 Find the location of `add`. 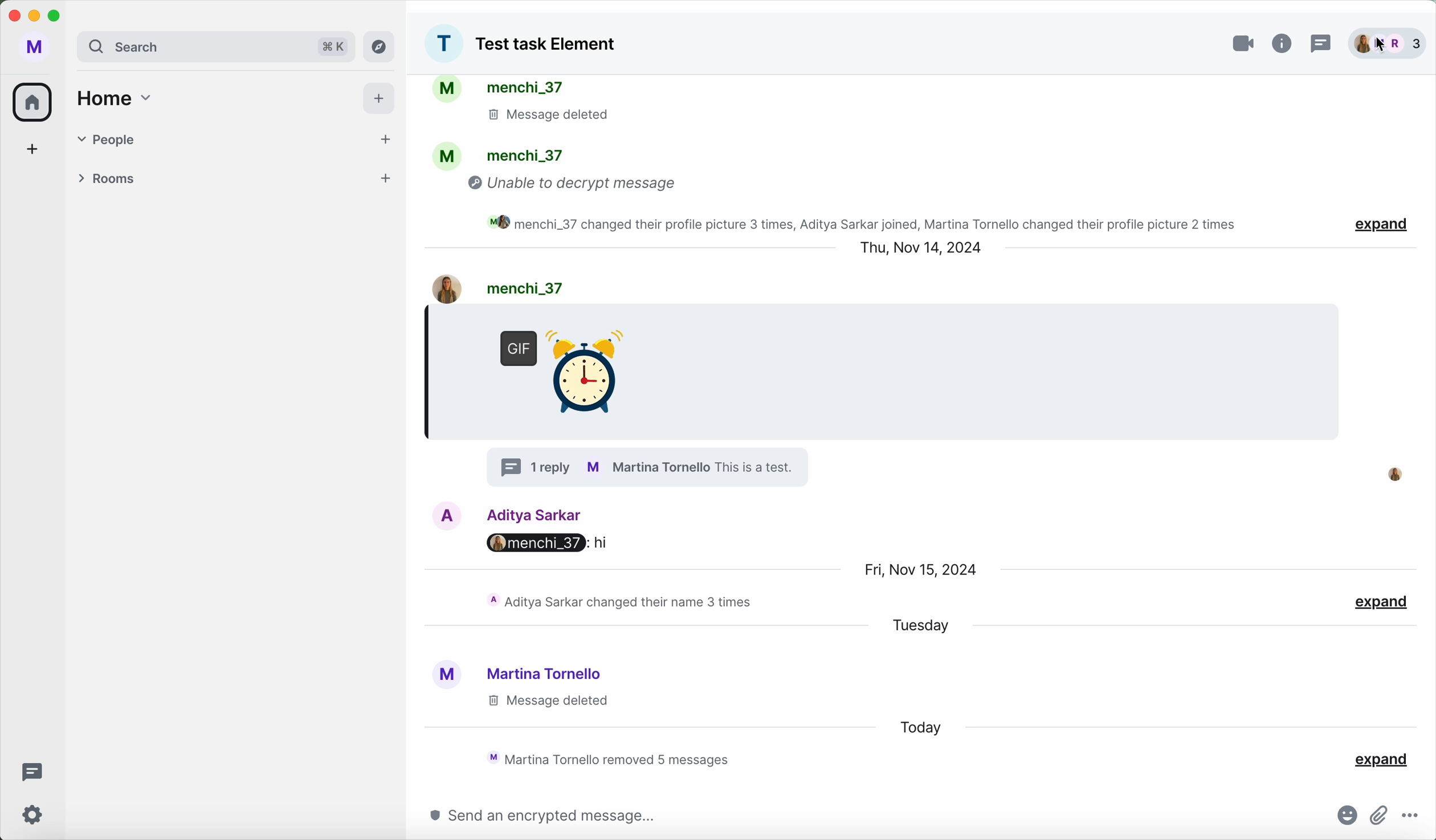

add is located at coordinates (385, 180).